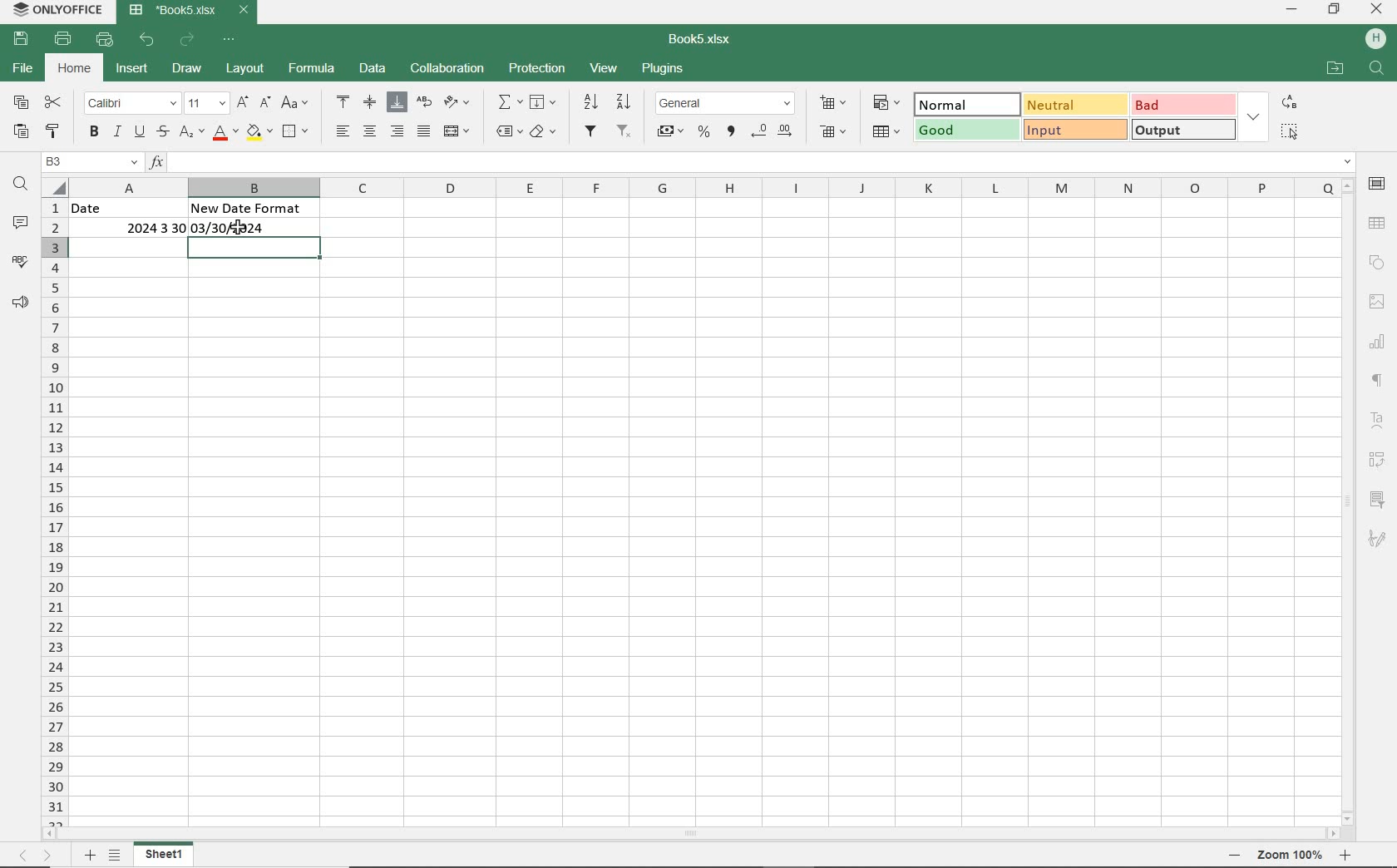 This screenshot has height=868, width=1397. What do you see at coordinates (1378, 458) in the screenshot?
I see `PIVOT TABLE` at bounding box center [1378, 458].